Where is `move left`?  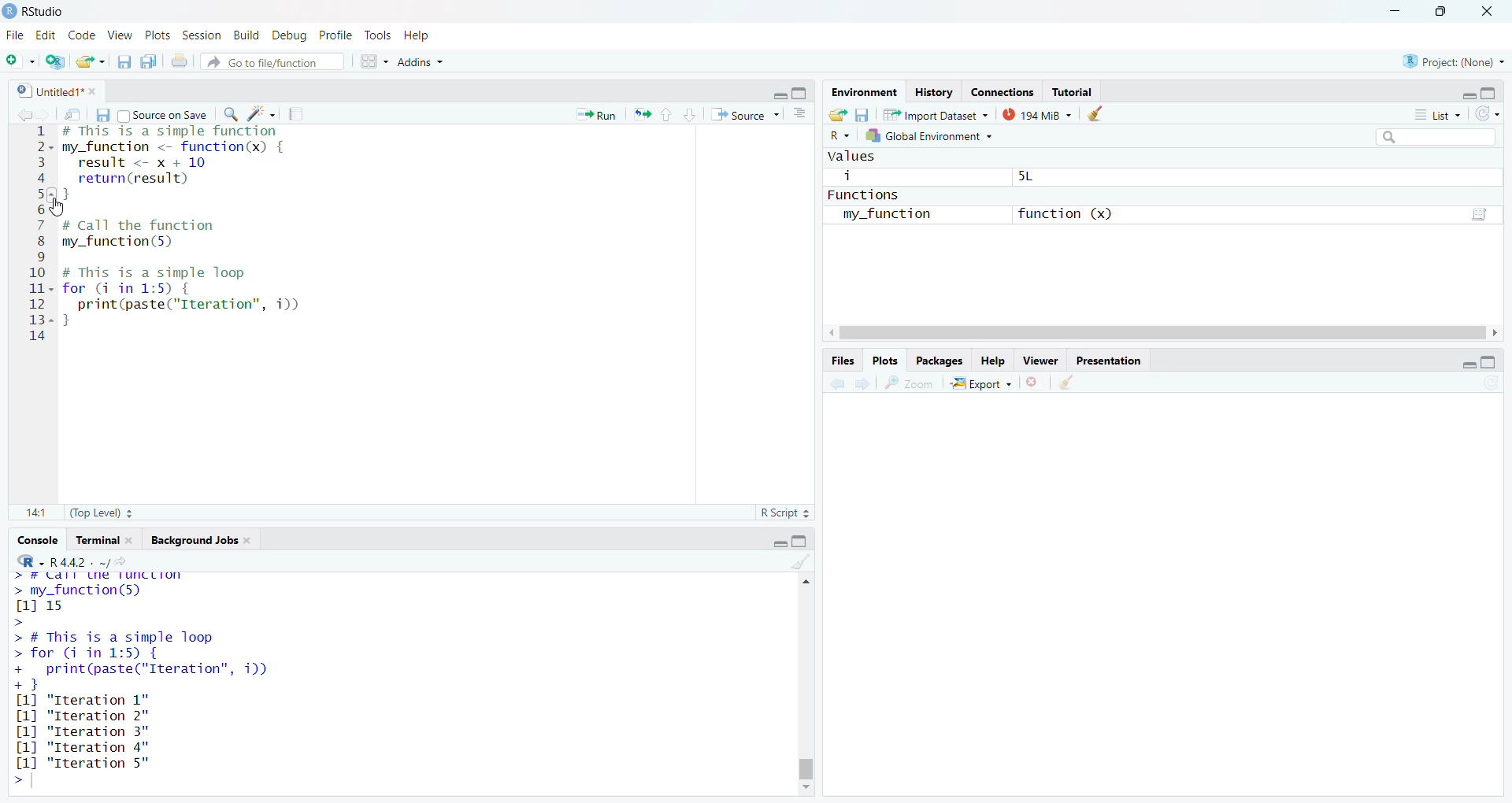
move left is located at coordinates (833, 333).